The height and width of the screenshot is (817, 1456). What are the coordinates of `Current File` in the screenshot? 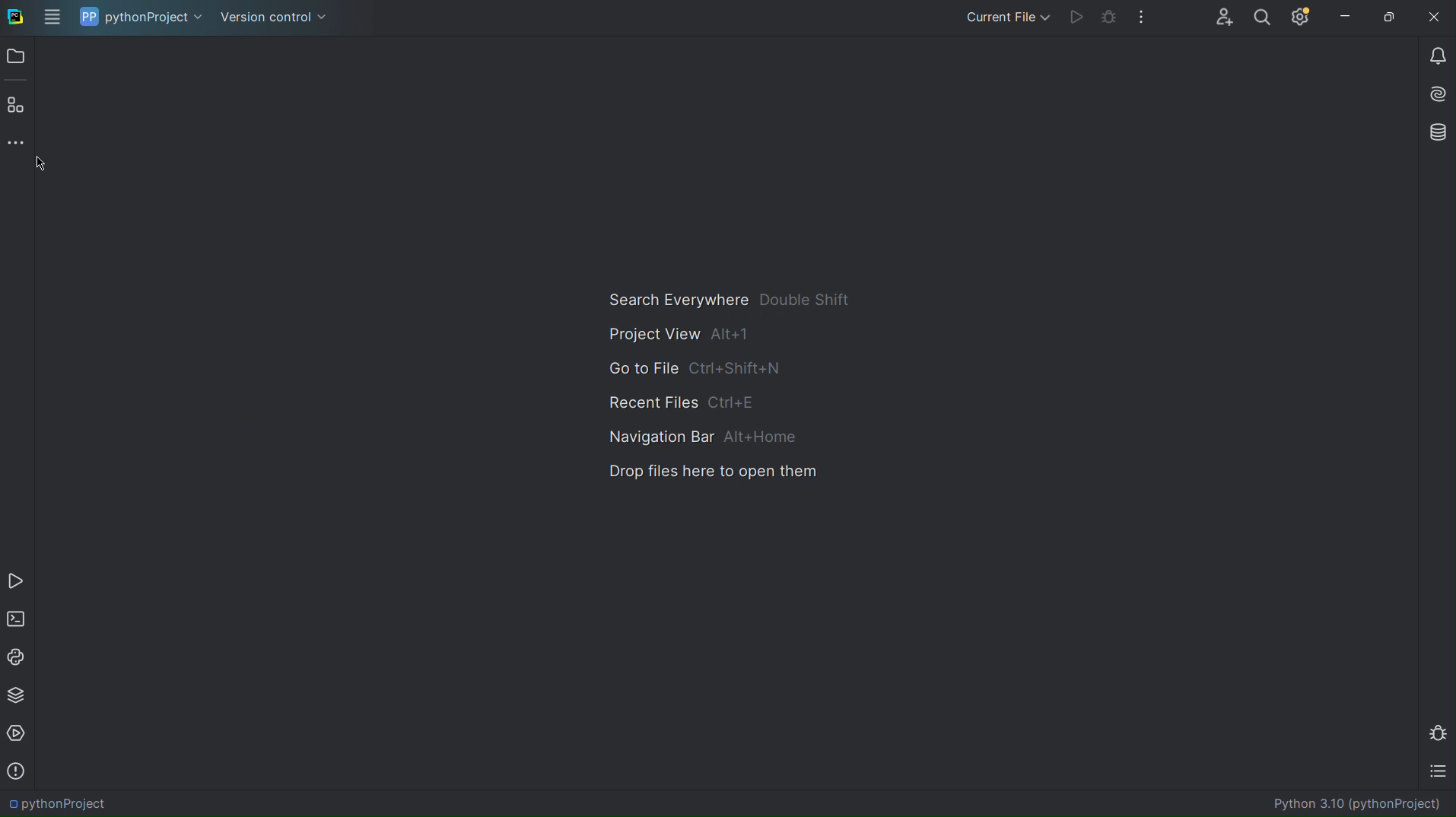 It's located at (1004, 19).